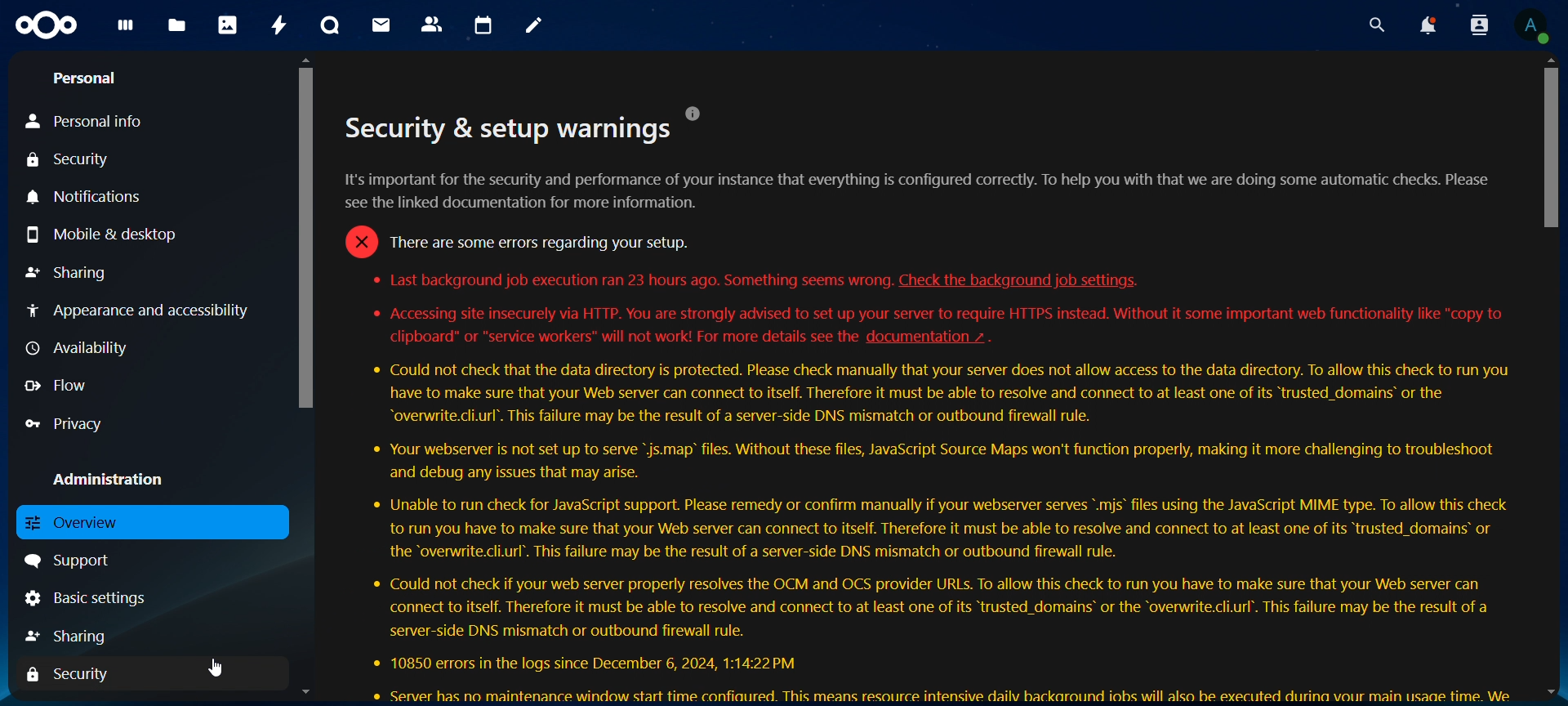 The image size is (1568, 706). Describe the element at coordinates (69, 673) in the screenshot. I see `security` at that location.